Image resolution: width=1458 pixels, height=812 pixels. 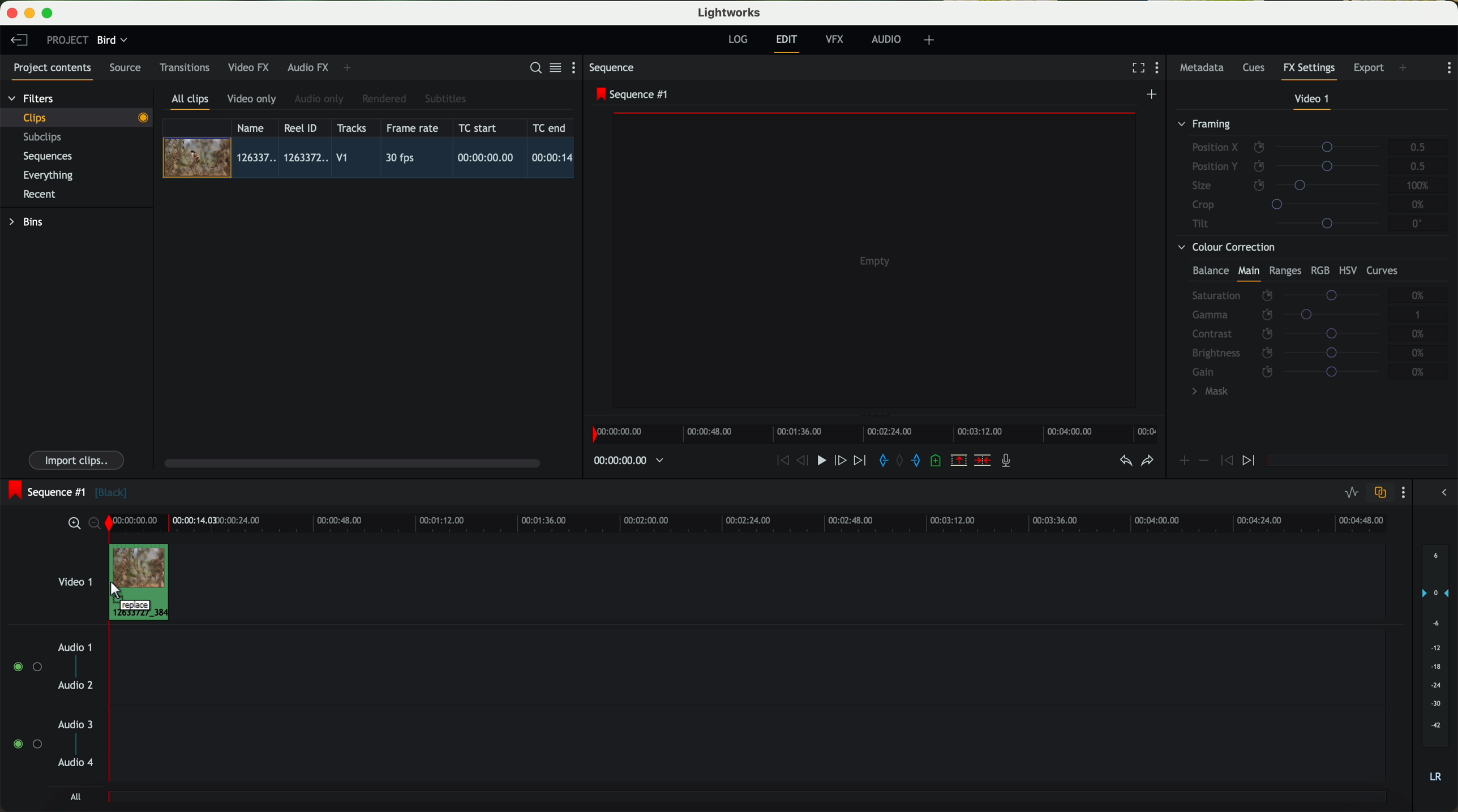 I want to click on timeline, so click(x=623, y=461).